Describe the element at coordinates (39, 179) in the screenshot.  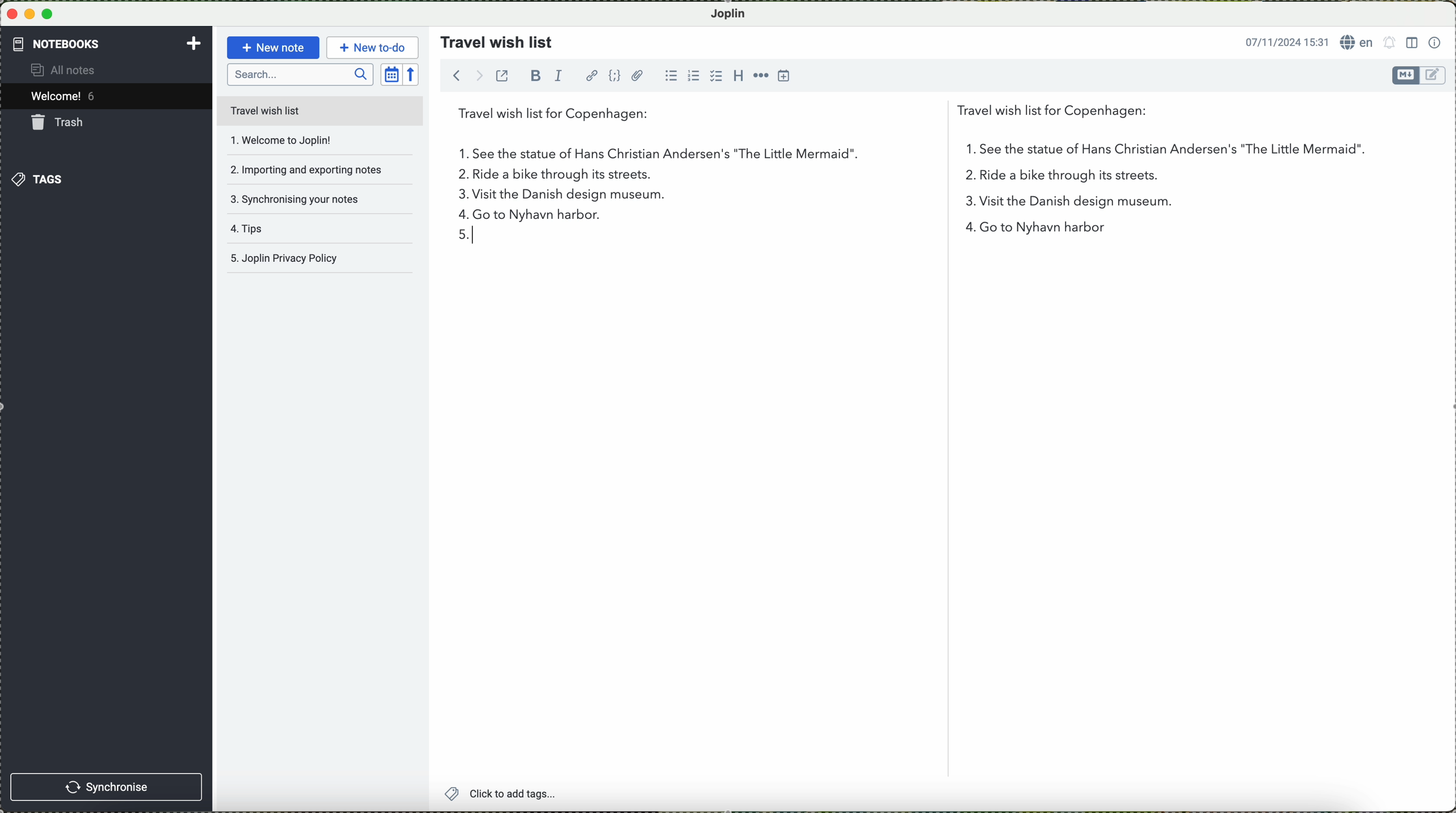
I see `tags` at that location.